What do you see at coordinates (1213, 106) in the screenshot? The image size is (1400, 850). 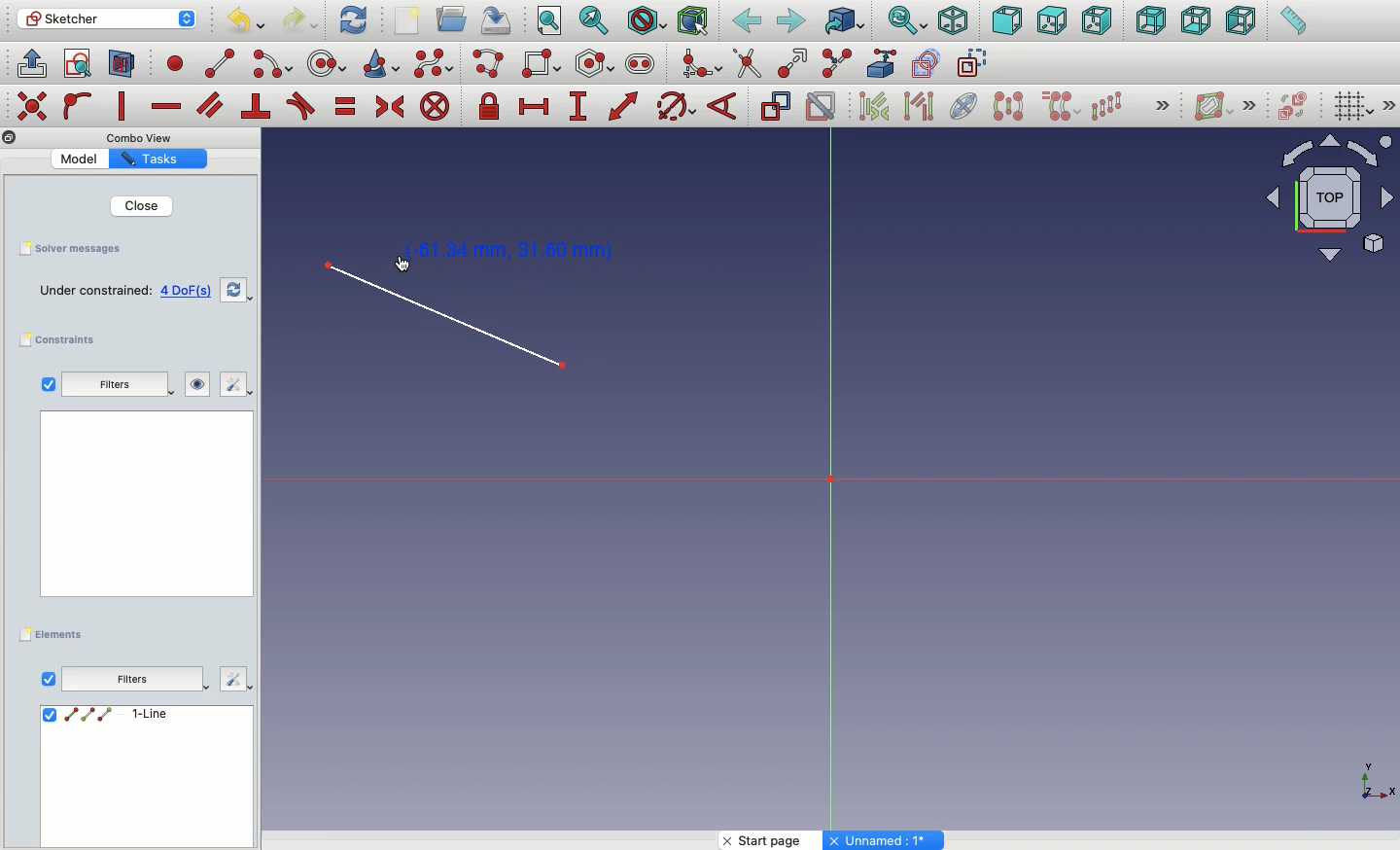 I see `Show/hide B-spline information layer` at bounding box center [1213, 106].